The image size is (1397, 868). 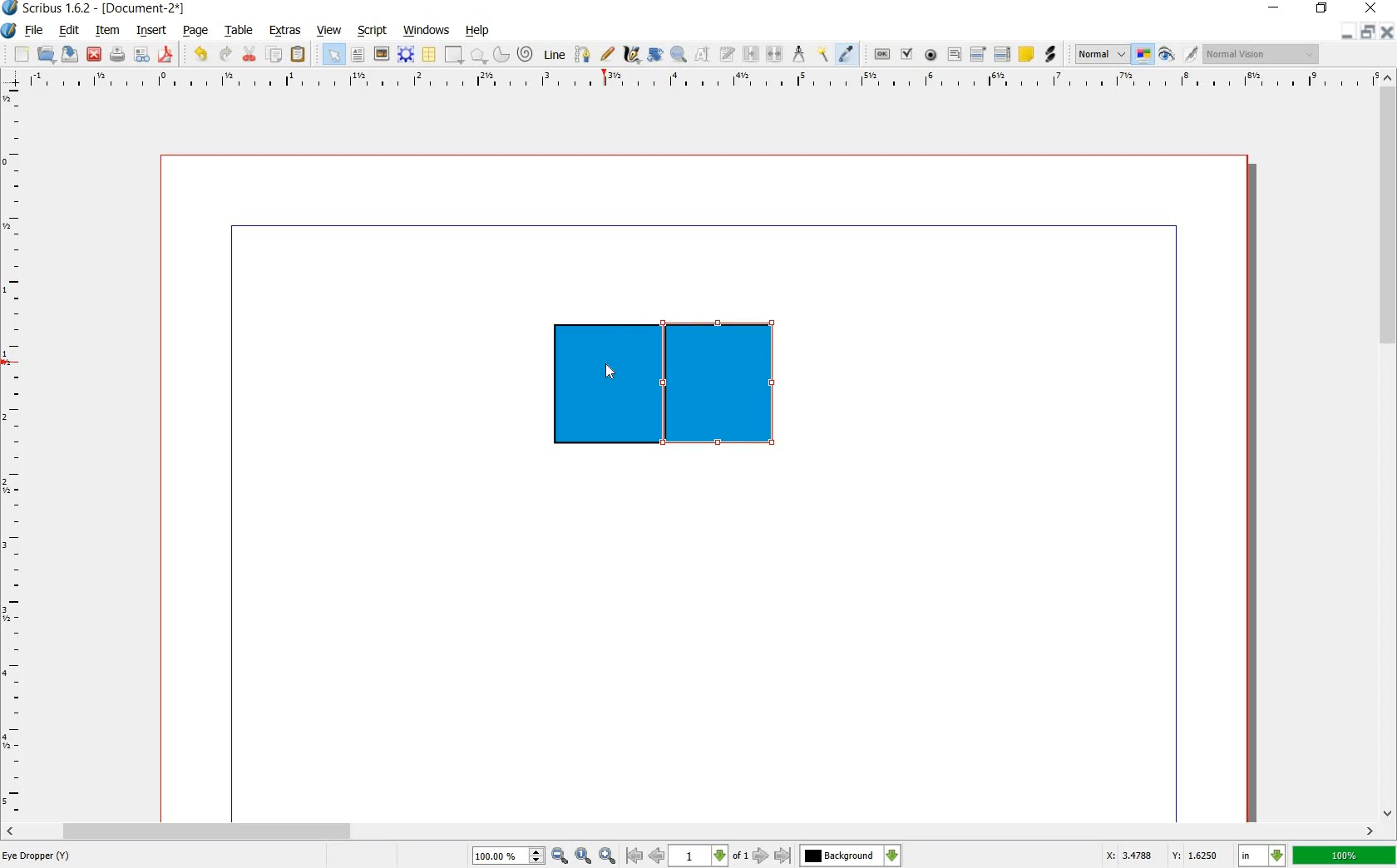 What do you see at coordinates (685, 387) in the screenshot?
I see `element's color matched` at bounding box center [685, 387].